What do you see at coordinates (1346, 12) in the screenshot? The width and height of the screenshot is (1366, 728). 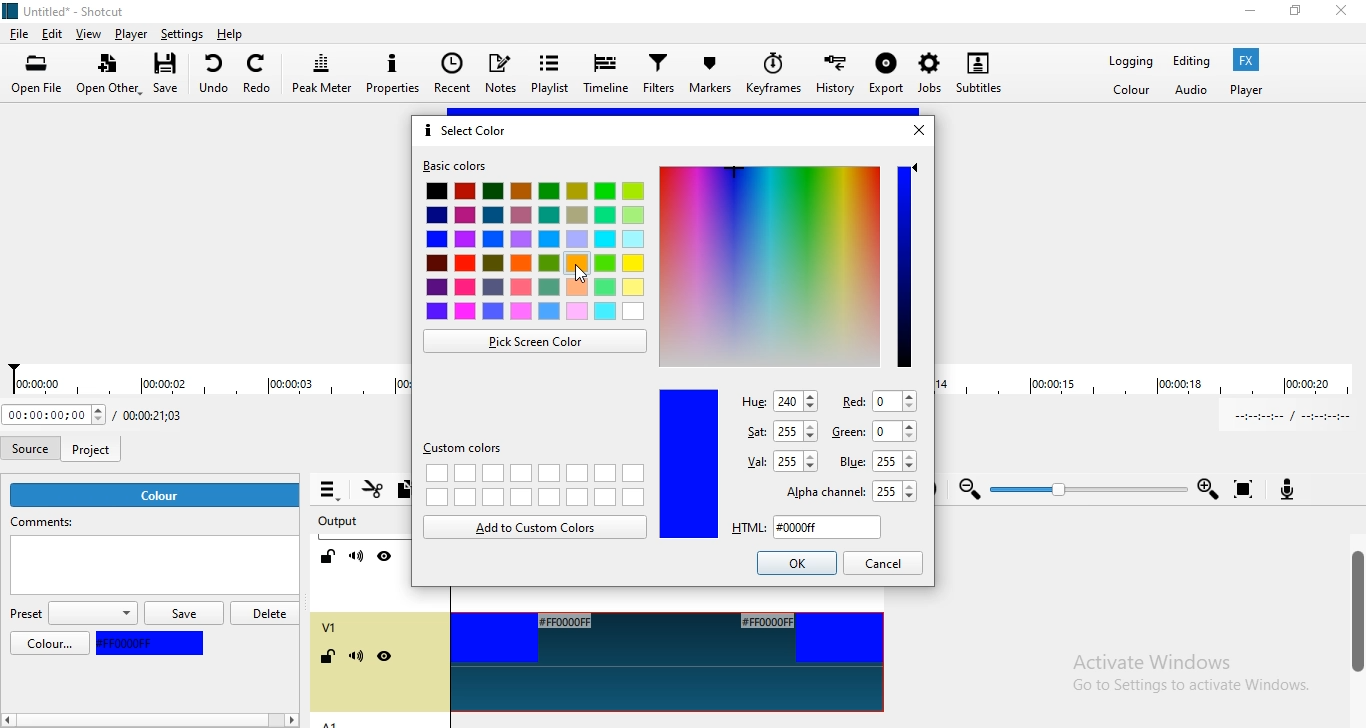 I see `close` at bounding box center [1346, 12].